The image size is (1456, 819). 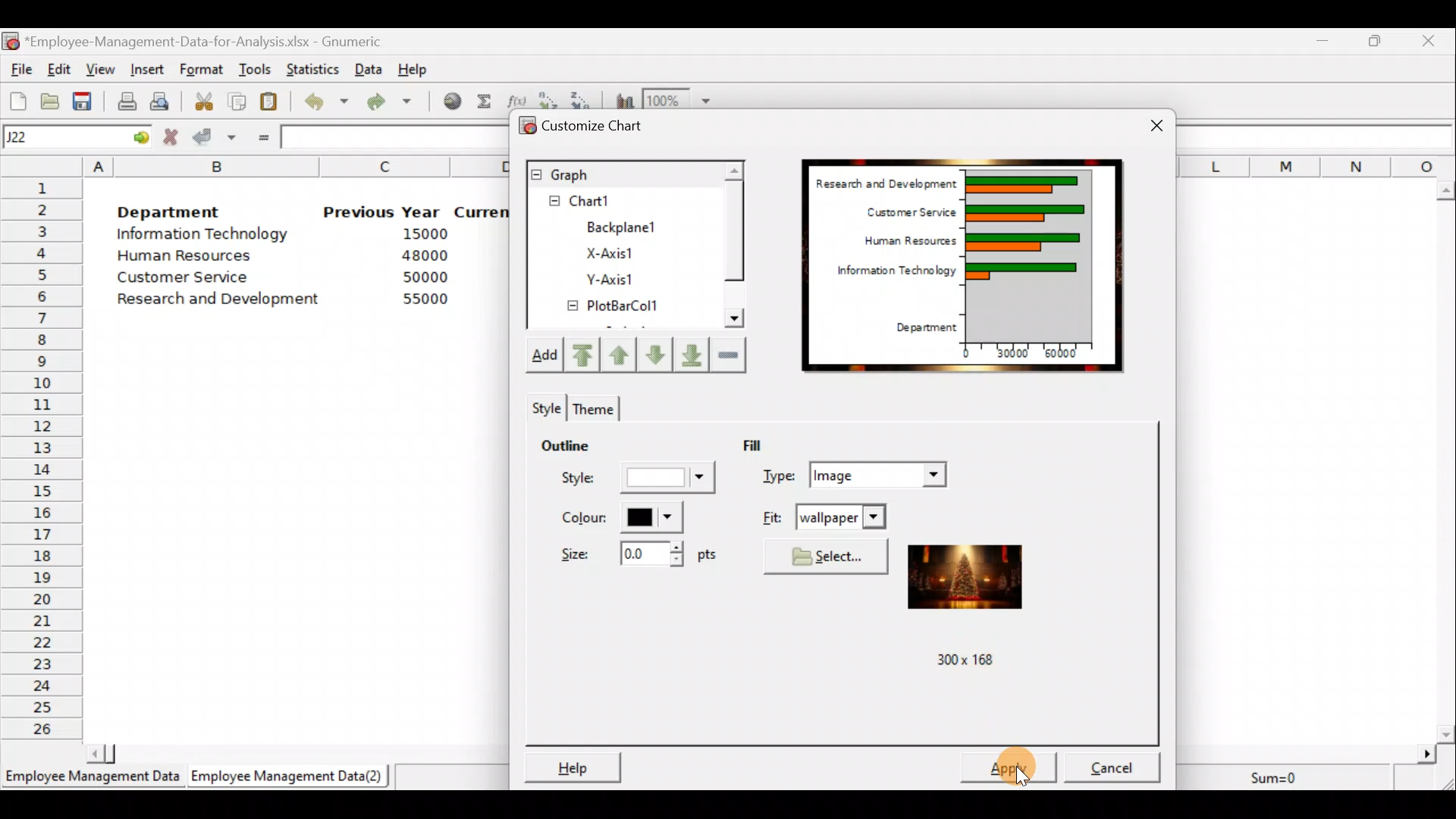 I want to click on Scroll bar, so click(x=733, y=247).